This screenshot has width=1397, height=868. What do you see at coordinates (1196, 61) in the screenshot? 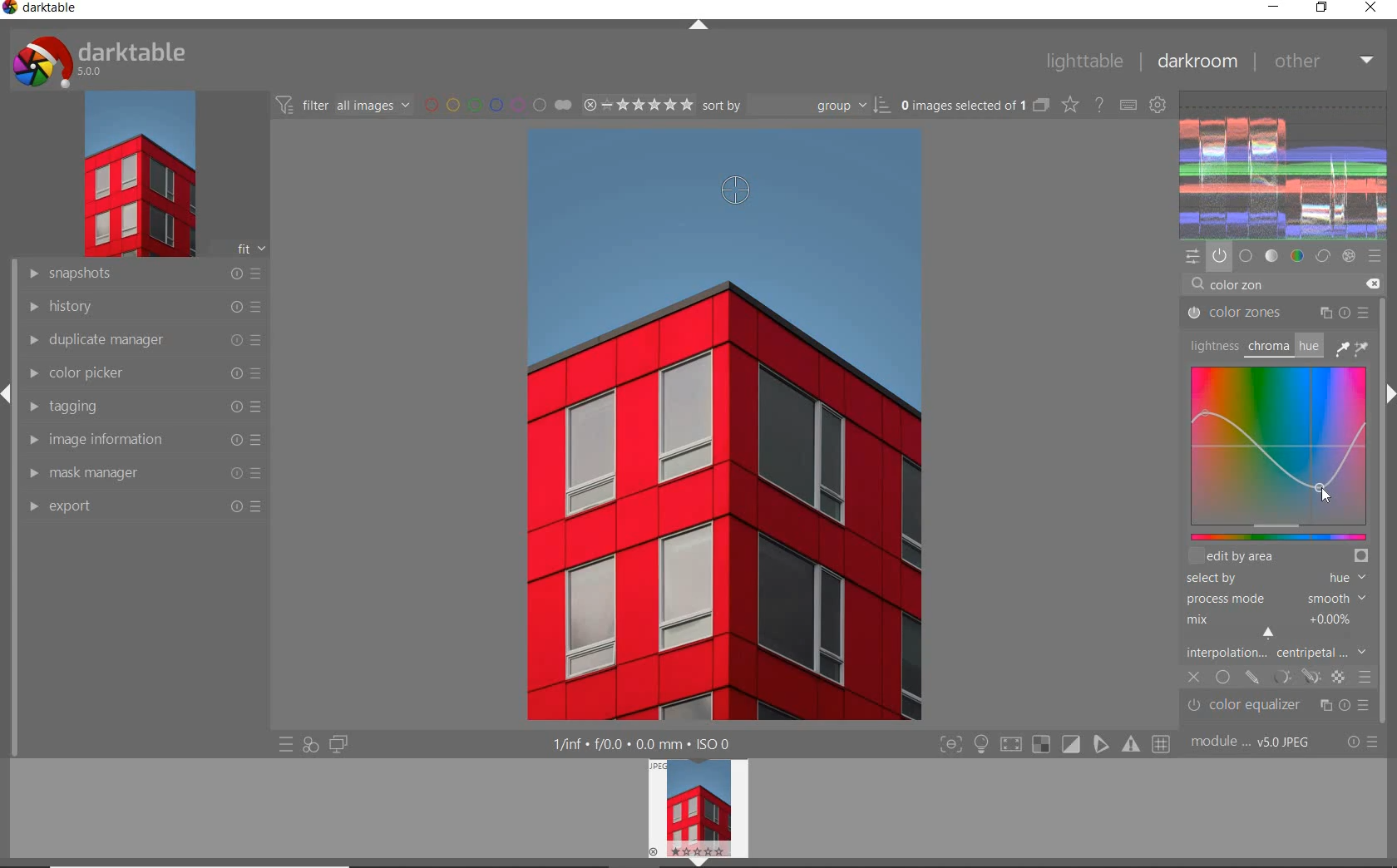
I see `dakroom` at bounding box center [1196, 61].